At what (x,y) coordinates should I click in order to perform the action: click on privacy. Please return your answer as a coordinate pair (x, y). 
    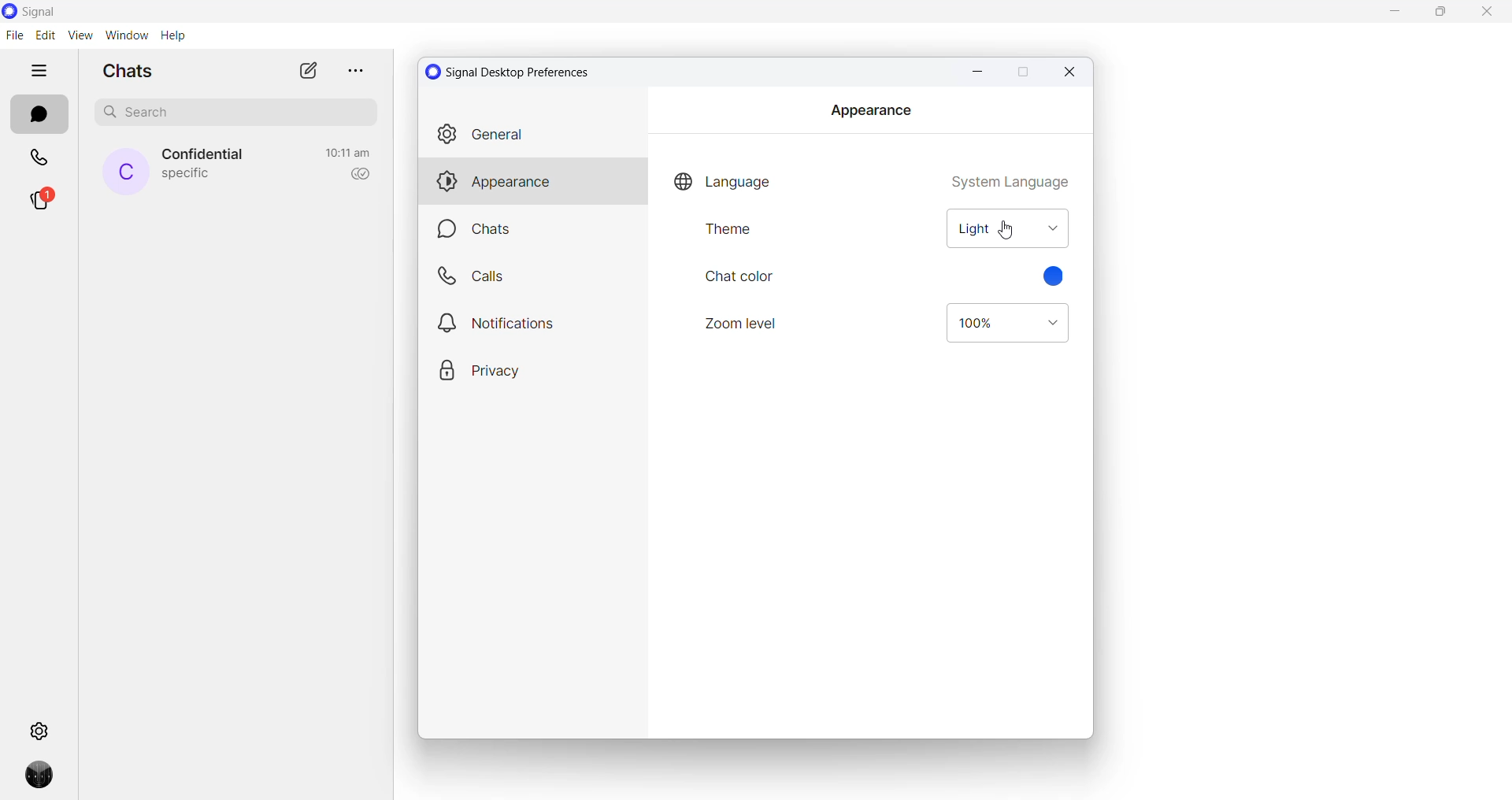
    Looking at the image, I should click on (526, 369).